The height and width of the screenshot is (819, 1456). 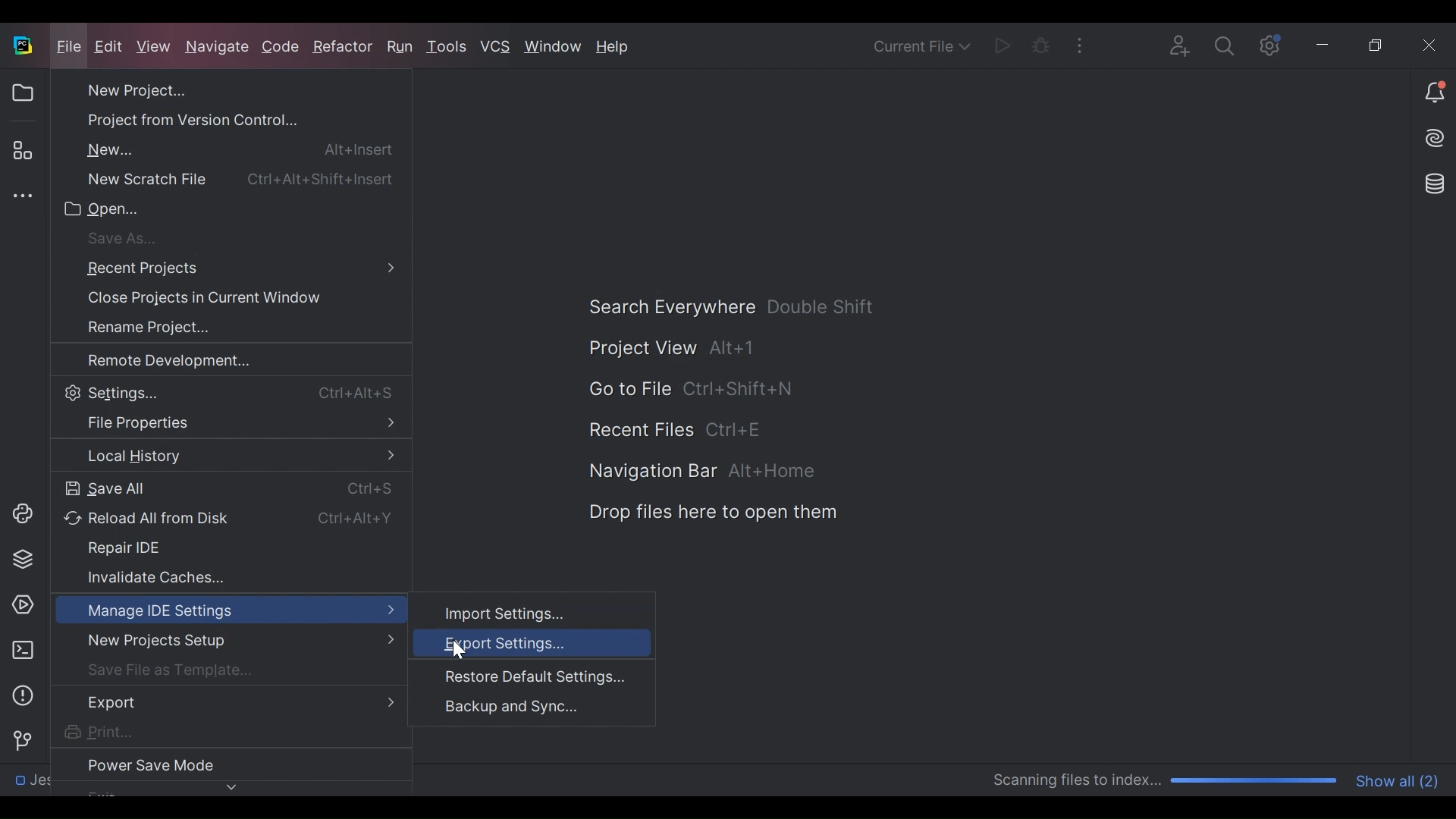 What do you see at coordinates (689, 390) in the screenshot?
I see `Go to File` at bounding box center [689, 390].